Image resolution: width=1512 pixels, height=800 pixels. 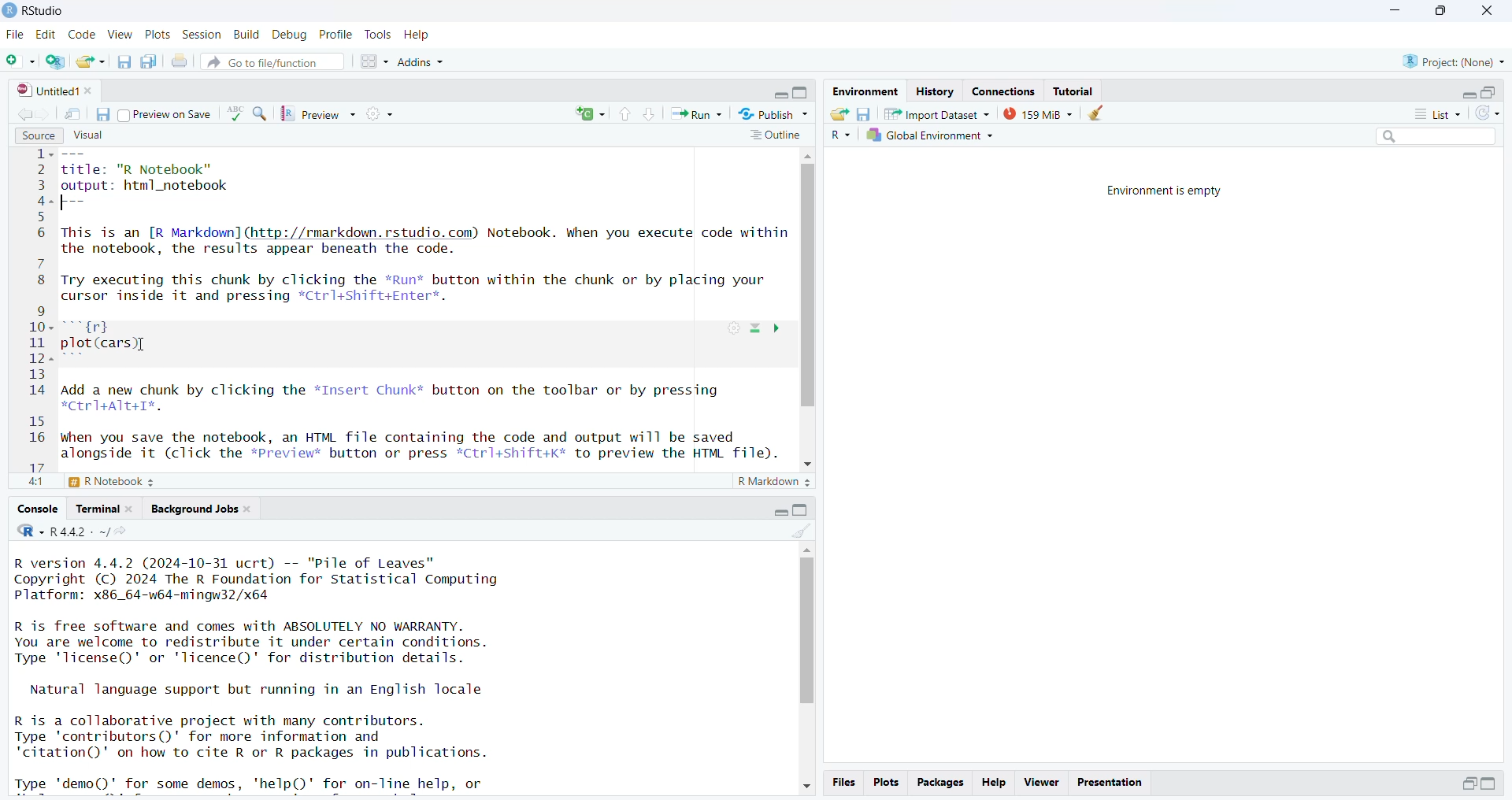 I want to click on go to next section, so click(x=651, y=116).